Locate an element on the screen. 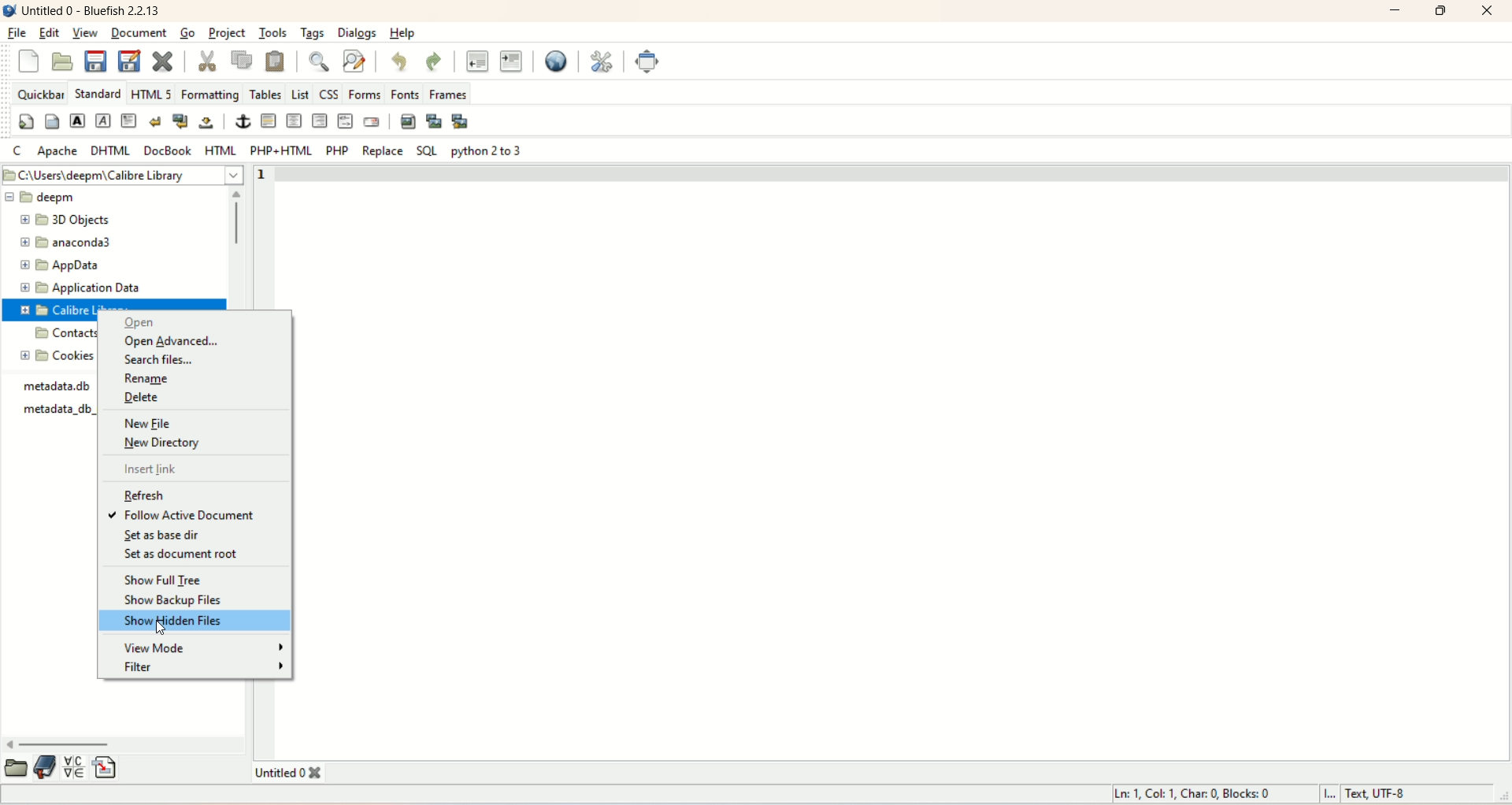  Fullscreen is located at coordinates (645, 61).